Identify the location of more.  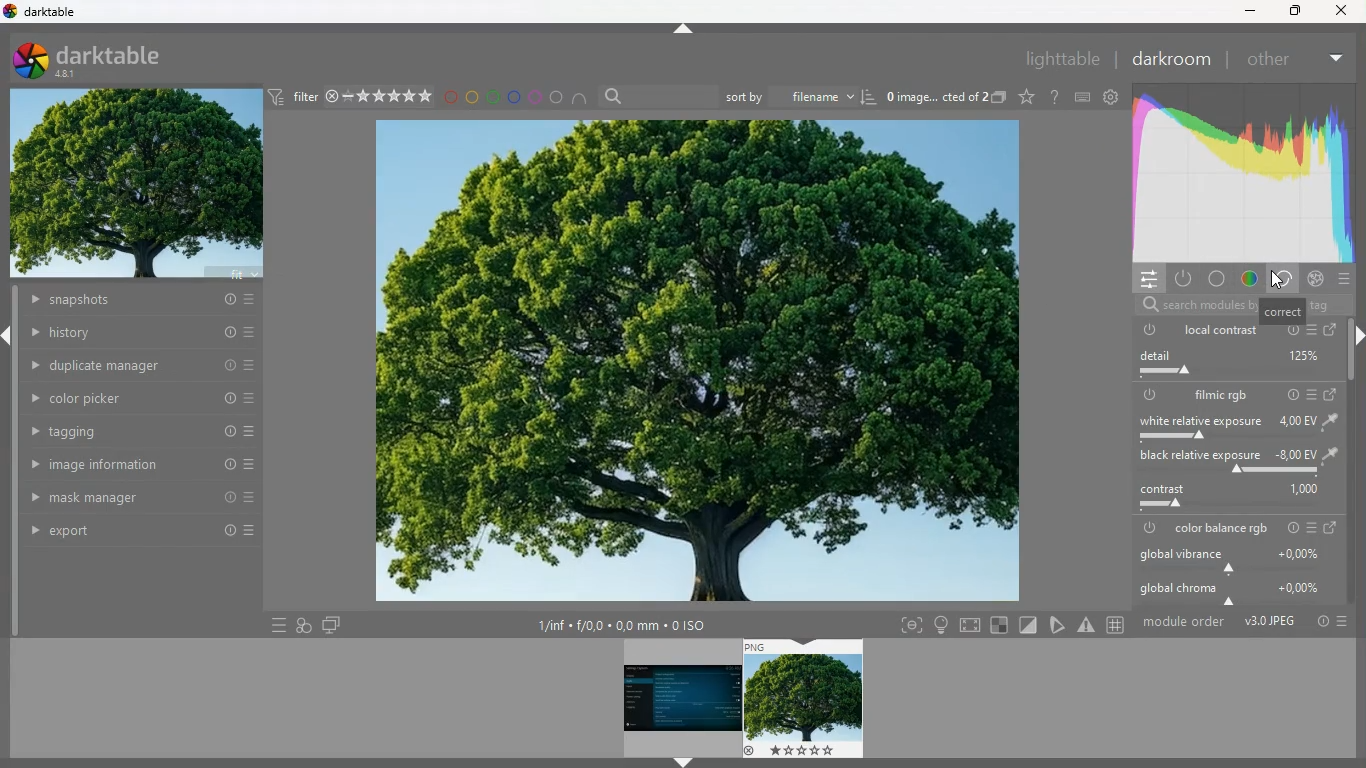
(1313, 329).